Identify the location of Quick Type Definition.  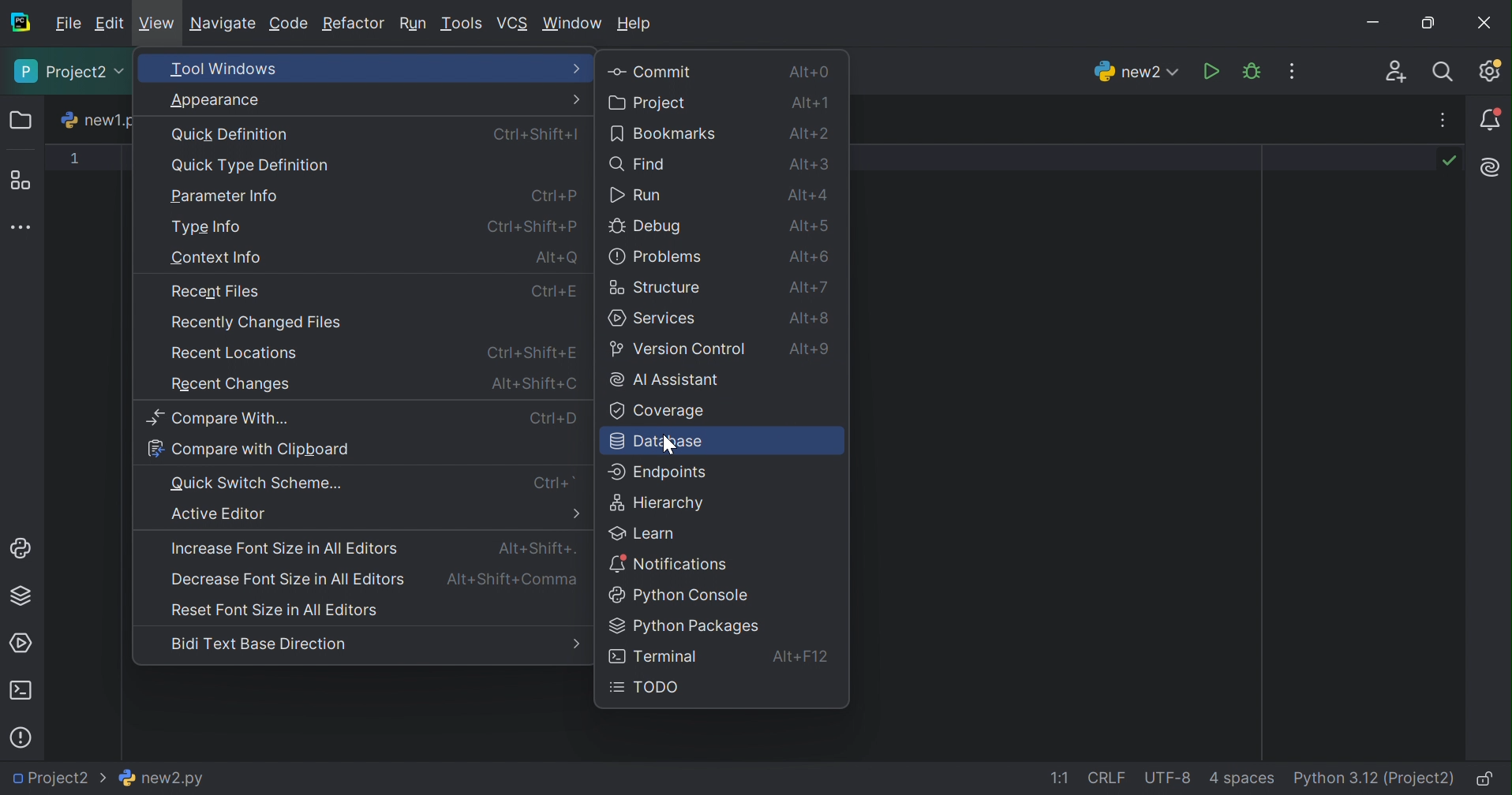
(252, 167).